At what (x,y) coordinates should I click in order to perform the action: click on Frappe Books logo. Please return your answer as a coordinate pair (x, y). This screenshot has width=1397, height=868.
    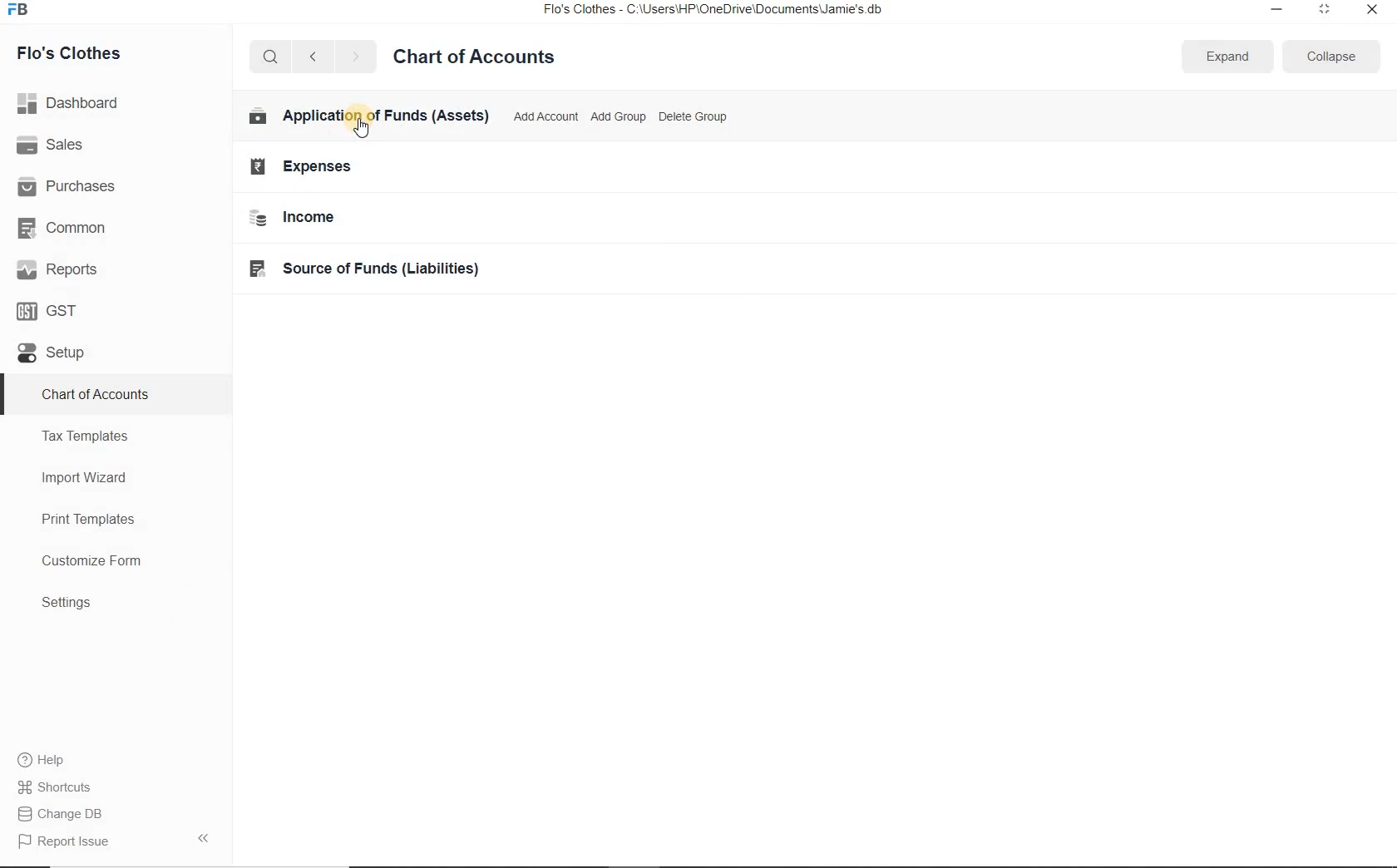
    Looking at the image, I should click on (22, 12).